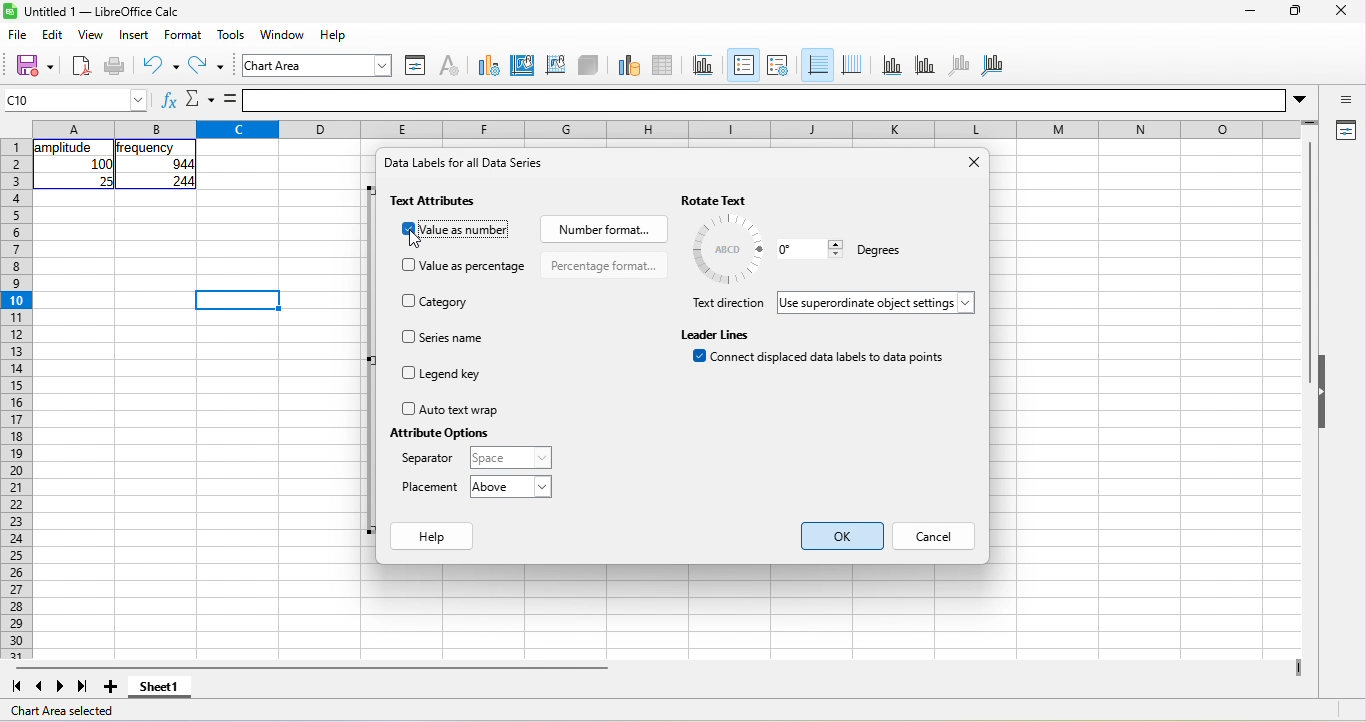  What do you see at coordinates (475, 168) in the screenshot?
I see `data labels for data series` at bounding box center [475, 168].